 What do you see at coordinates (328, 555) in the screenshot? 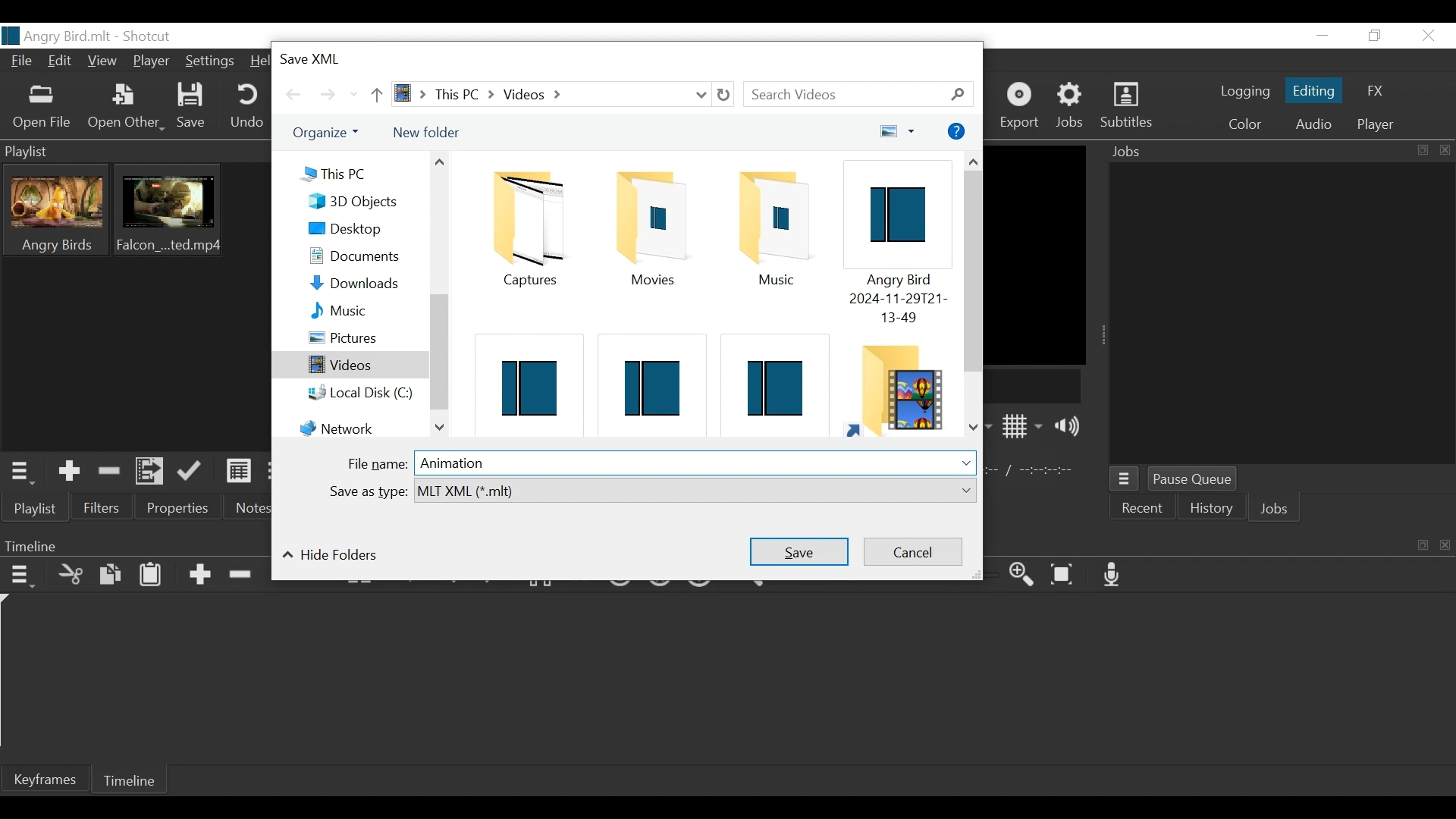
I see `Hide folders` at bounding box center [328, 555].